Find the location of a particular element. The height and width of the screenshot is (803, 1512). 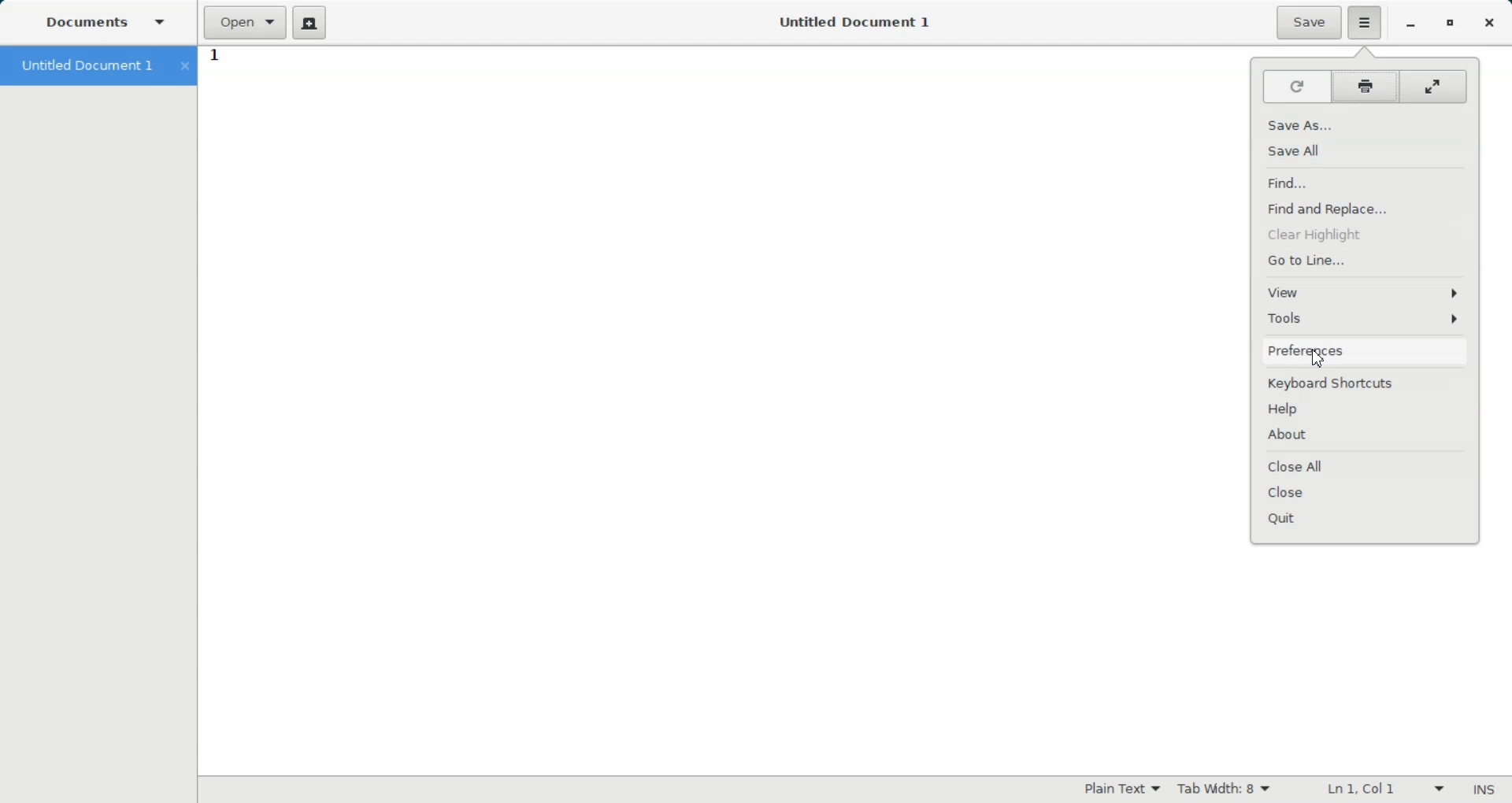

Cursor is located at coordinates (1319, 360).